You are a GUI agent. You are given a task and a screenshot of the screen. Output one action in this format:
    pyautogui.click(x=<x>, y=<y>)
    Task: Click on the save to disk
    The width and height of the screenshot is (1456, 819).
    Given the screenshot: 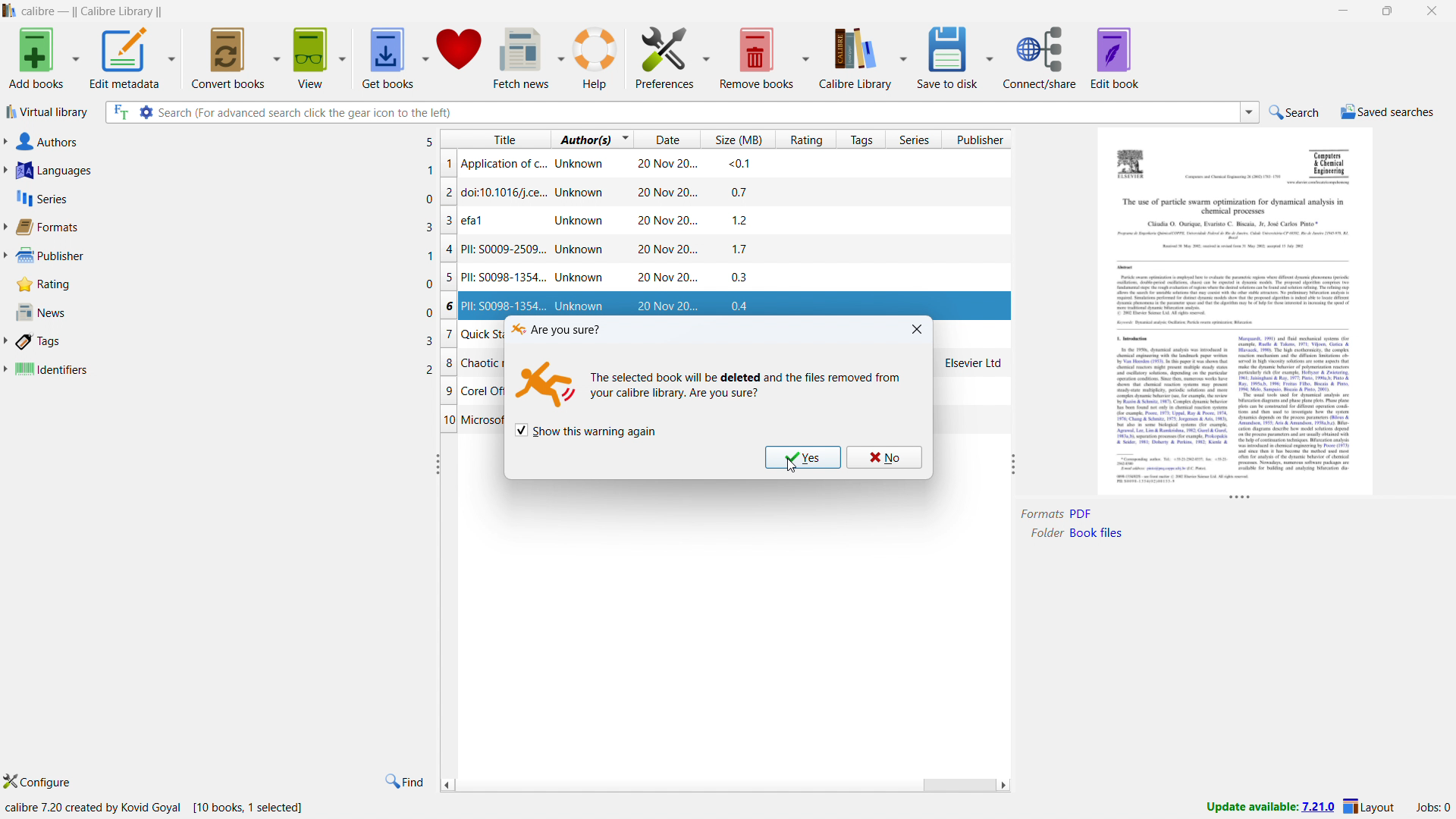 What is the action you would take?
    pyautogui.click(x=948, y=57)
    